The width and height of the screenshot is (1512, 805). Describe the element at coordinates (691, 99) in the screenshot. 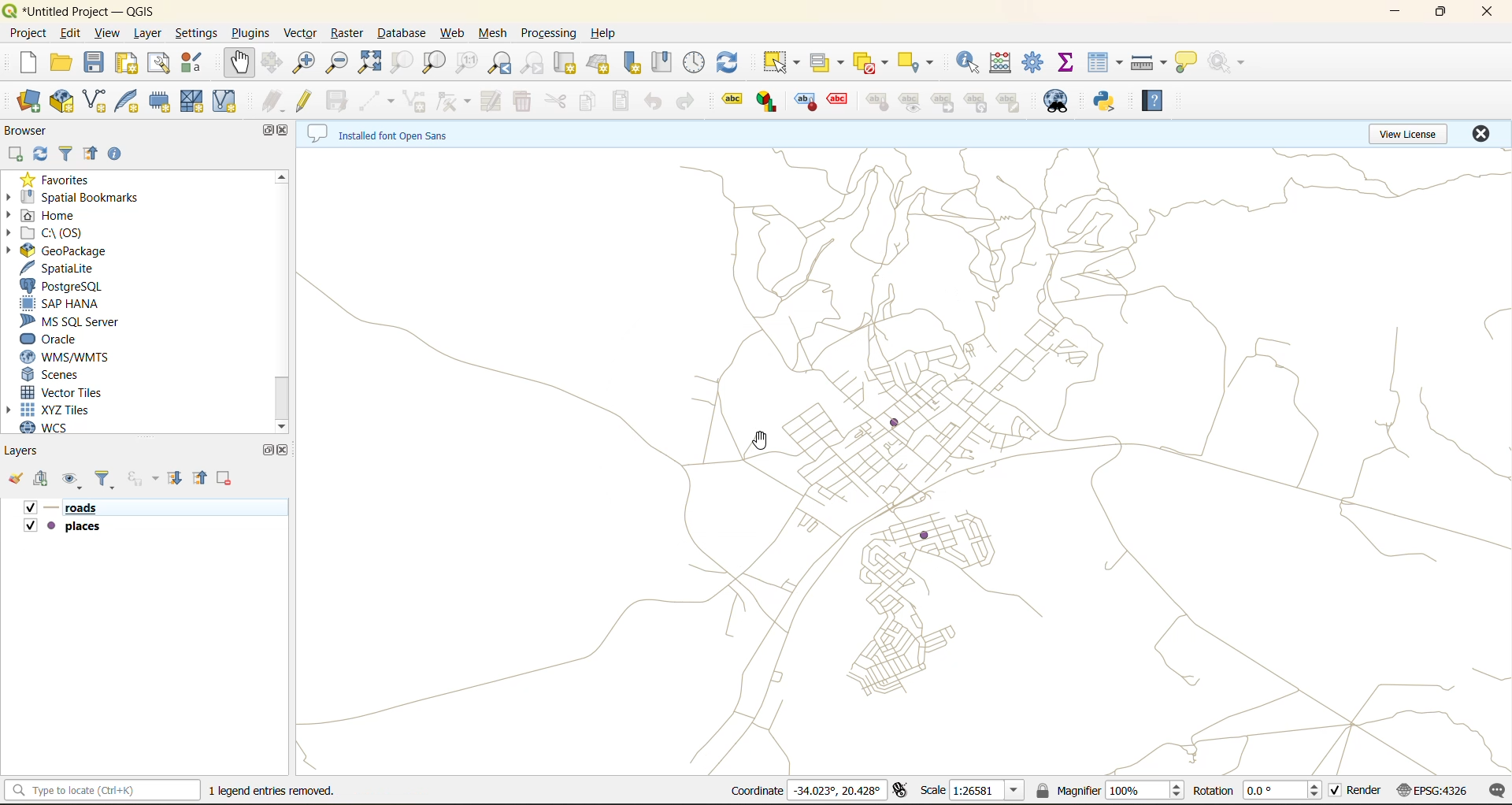

I see `redo` at that location.